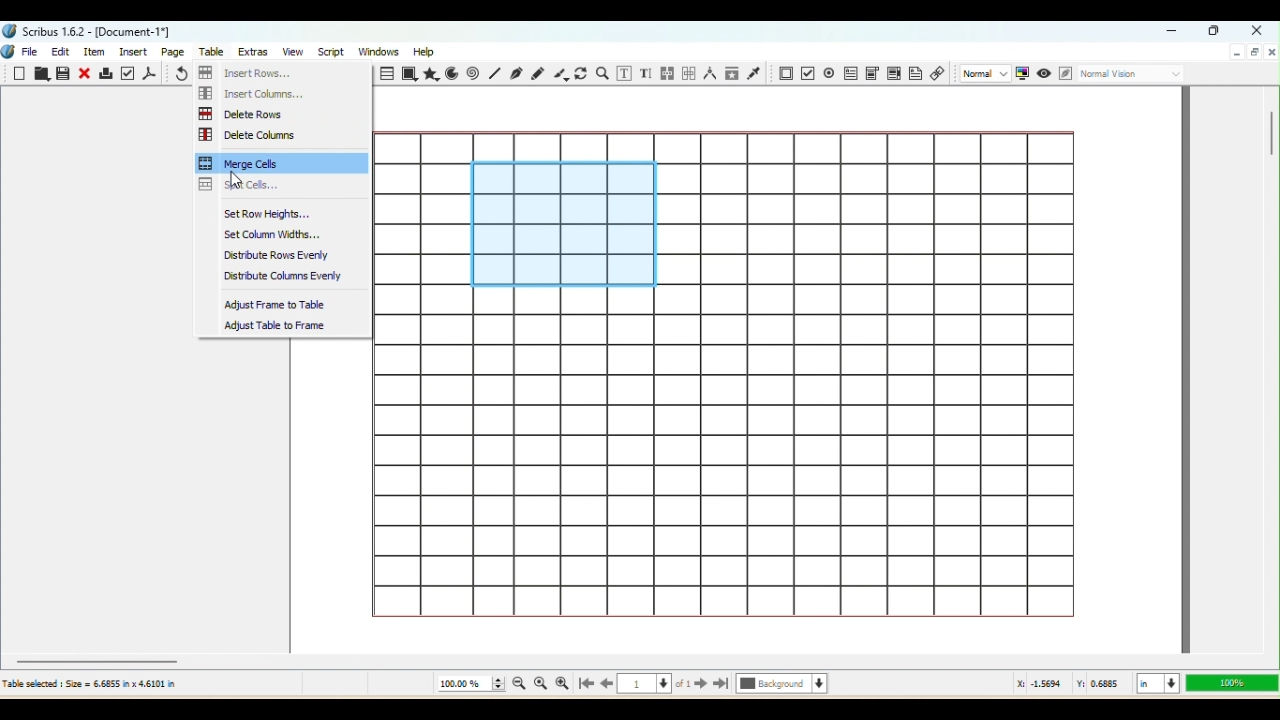 Image resolution: width=1280 pixels, height=720 pixels. Describe the element at coordinates (41, 75) in the screenshot. I see `Open` at that location.